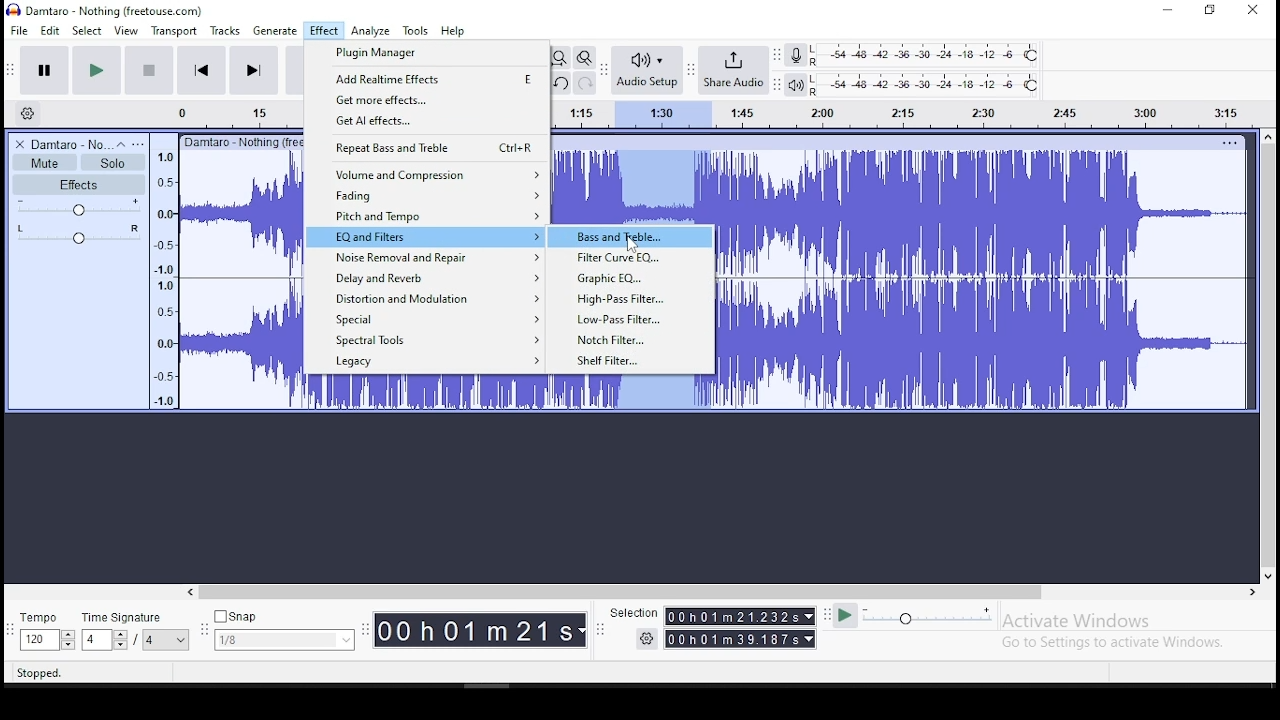 The width and height of the screenshot is (1280, 720). I want to click on spectral tools, so click(423, 341).